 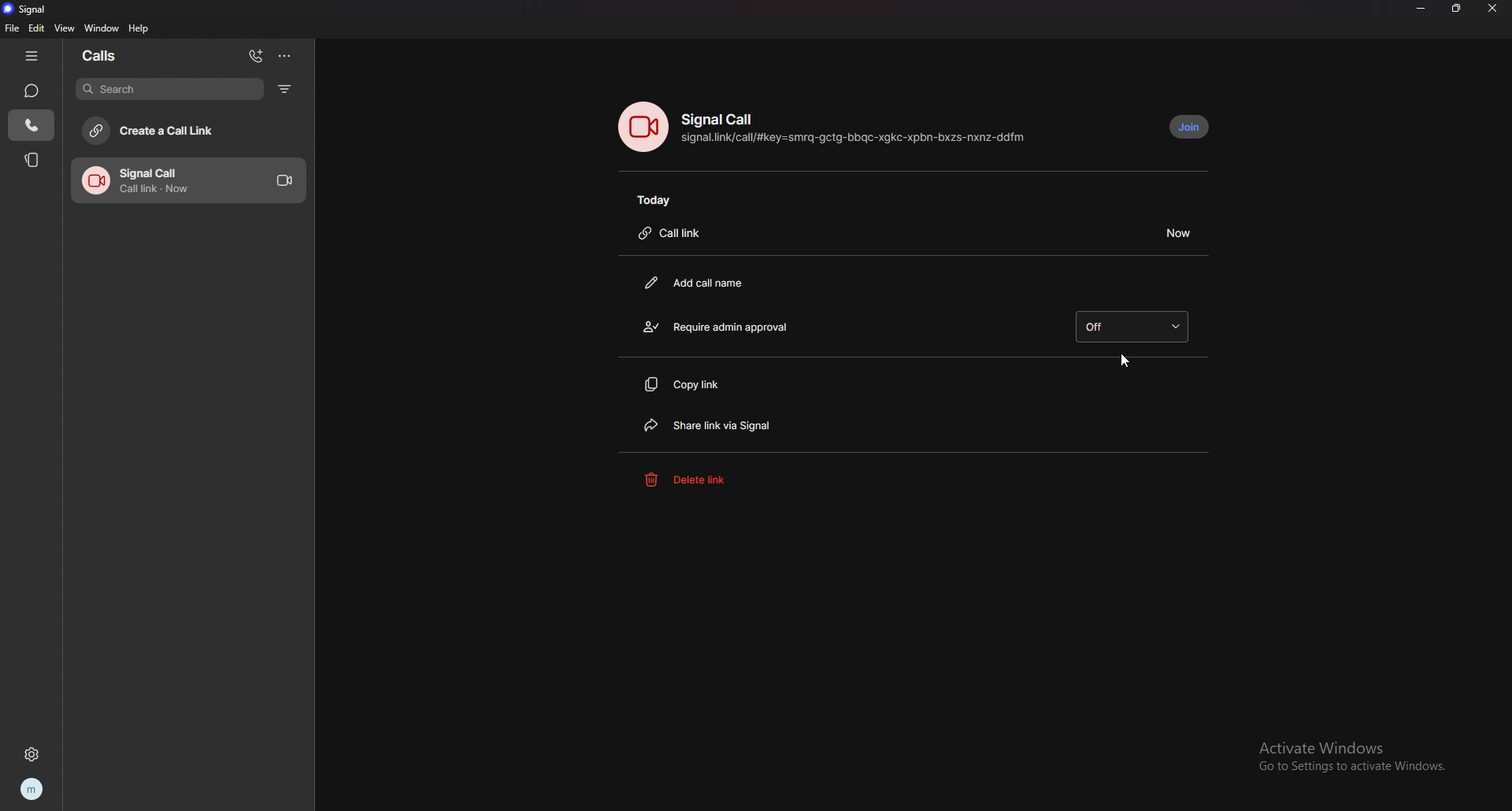 I want to click on add call name, so click(x=699, y=284).